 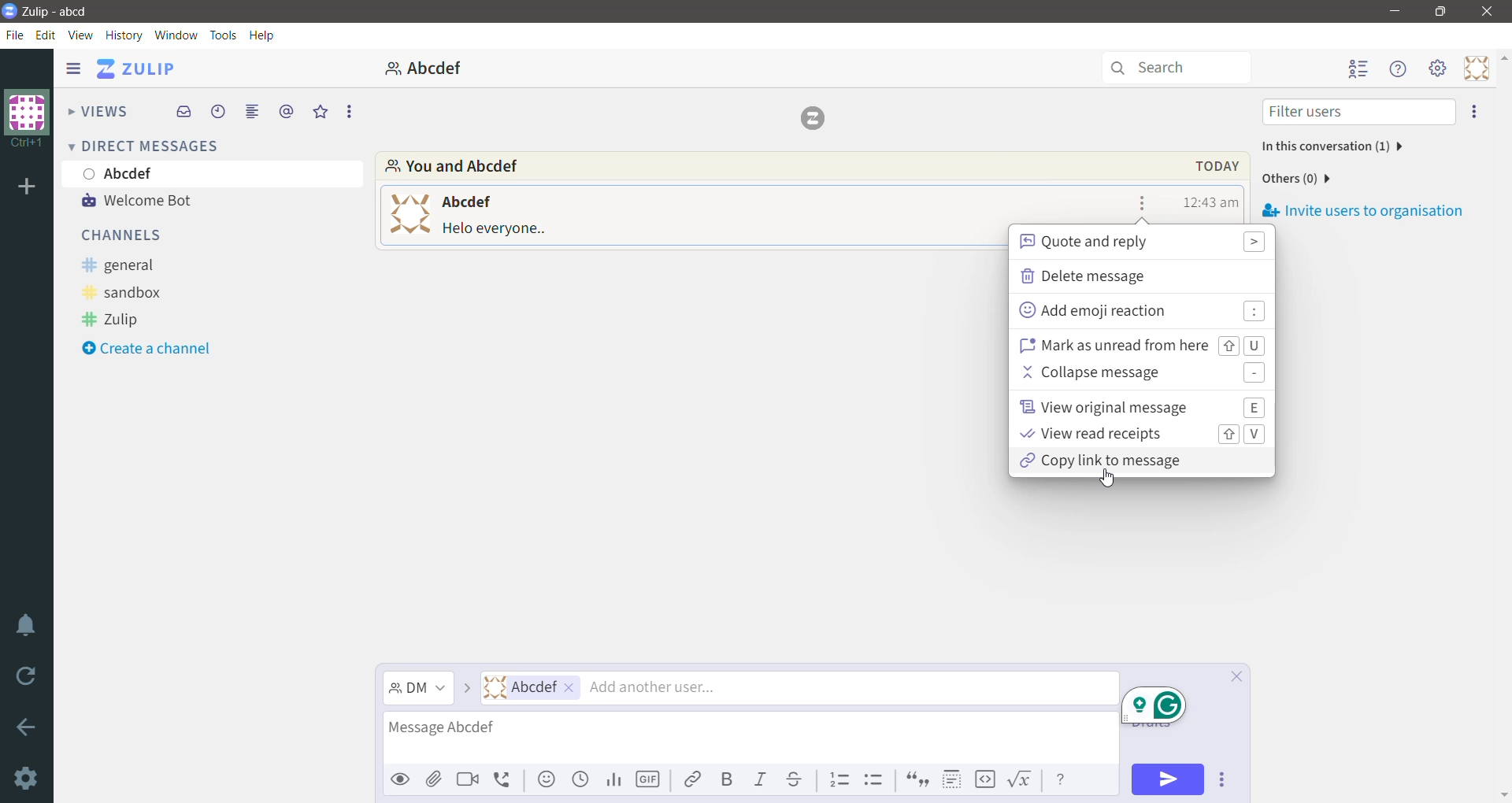 What do you see at coordinates (1437, 68) in the screenshot?
I see `Main menu` at bounding box center [1437, 68].